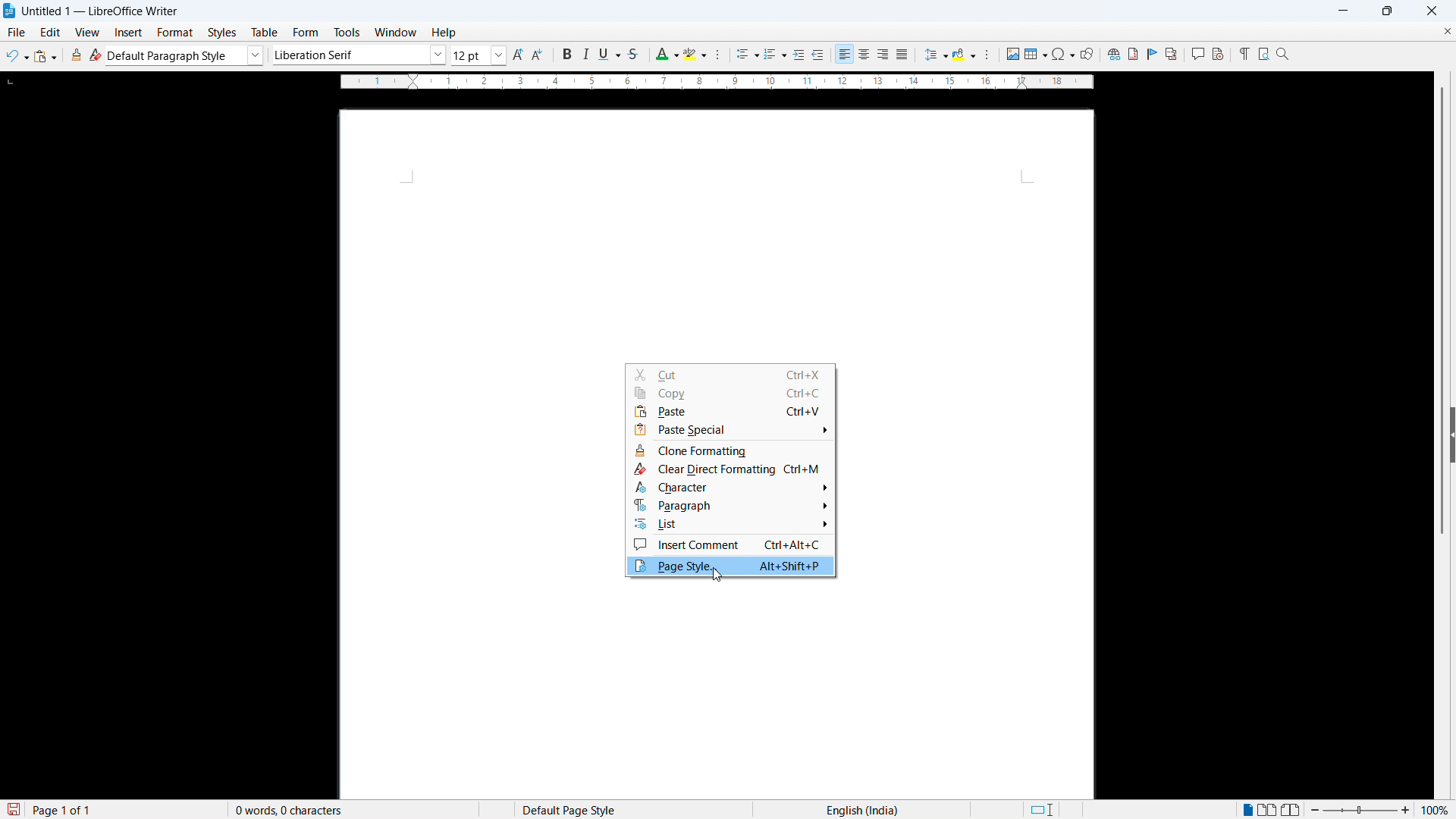 This screenshot has width=1456, height=819. What do you see at coordinates (1263, 52) in the screenshot?
I see `Print preview ` at bounding box center [1263, 52].